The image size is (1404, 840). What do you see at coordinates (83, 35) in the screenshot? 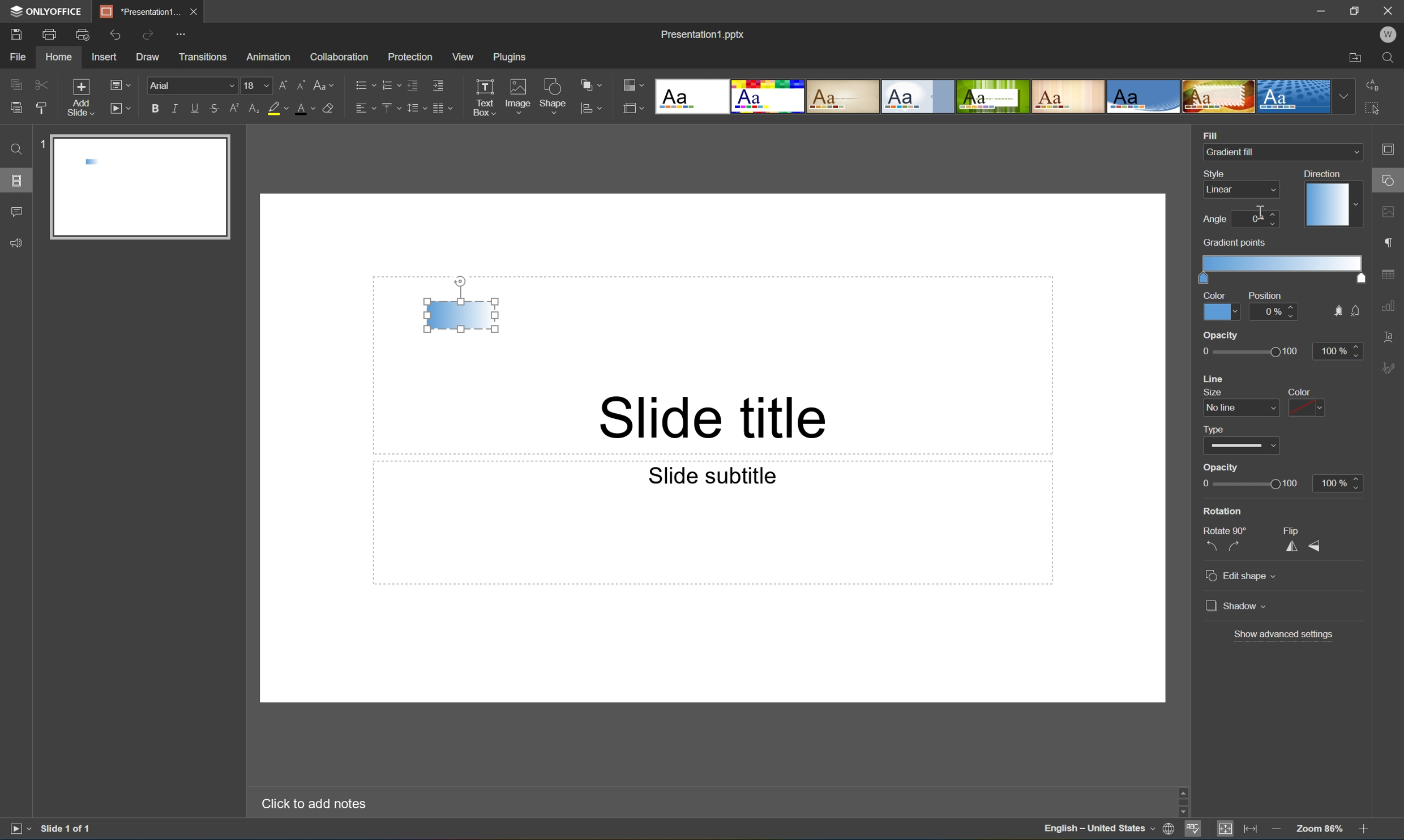
I see `Print preview` at bounding box center [83, 35].